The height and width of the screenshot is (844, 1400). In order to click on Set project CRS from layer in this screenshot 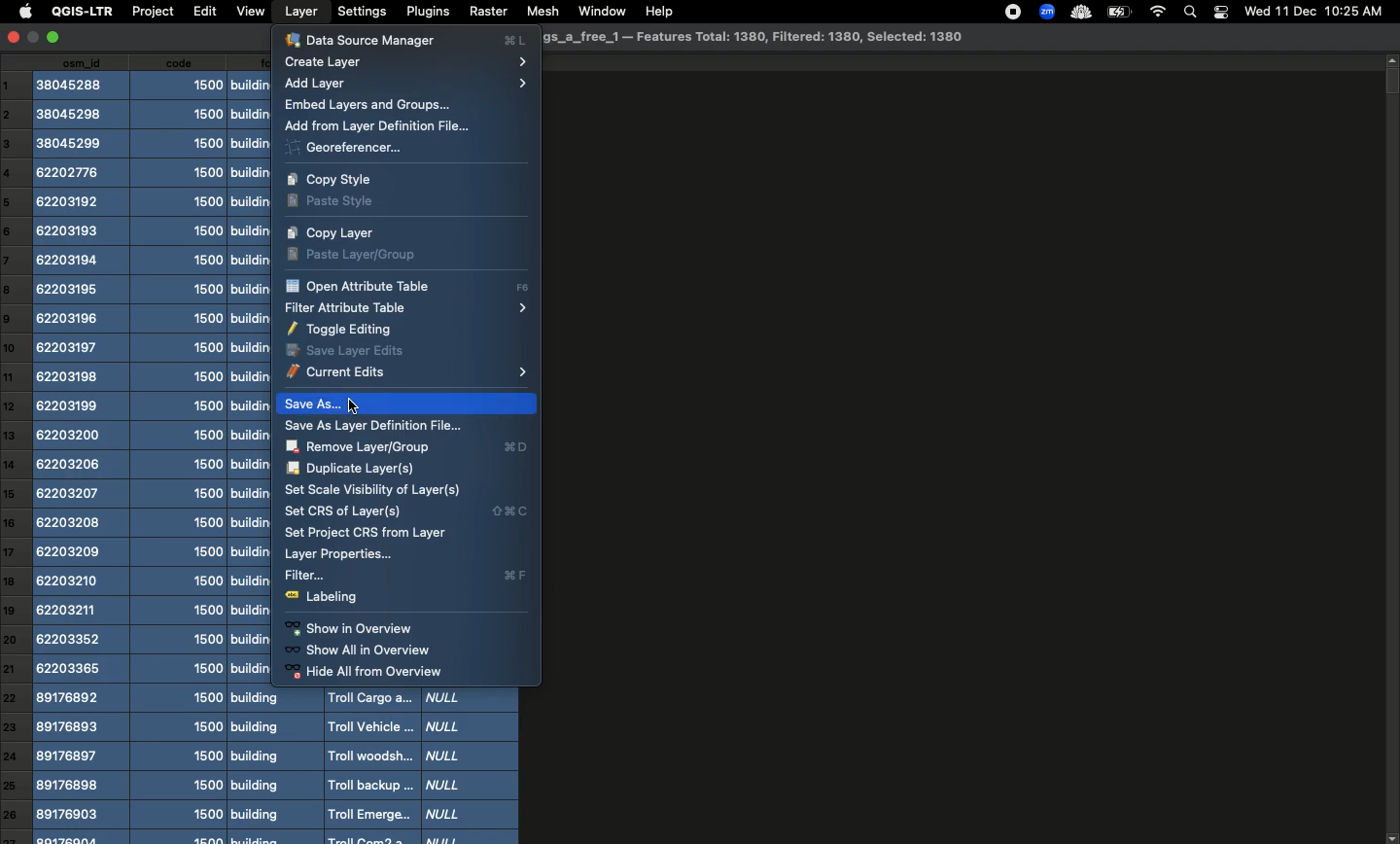, I will do `click(367, 533)`.